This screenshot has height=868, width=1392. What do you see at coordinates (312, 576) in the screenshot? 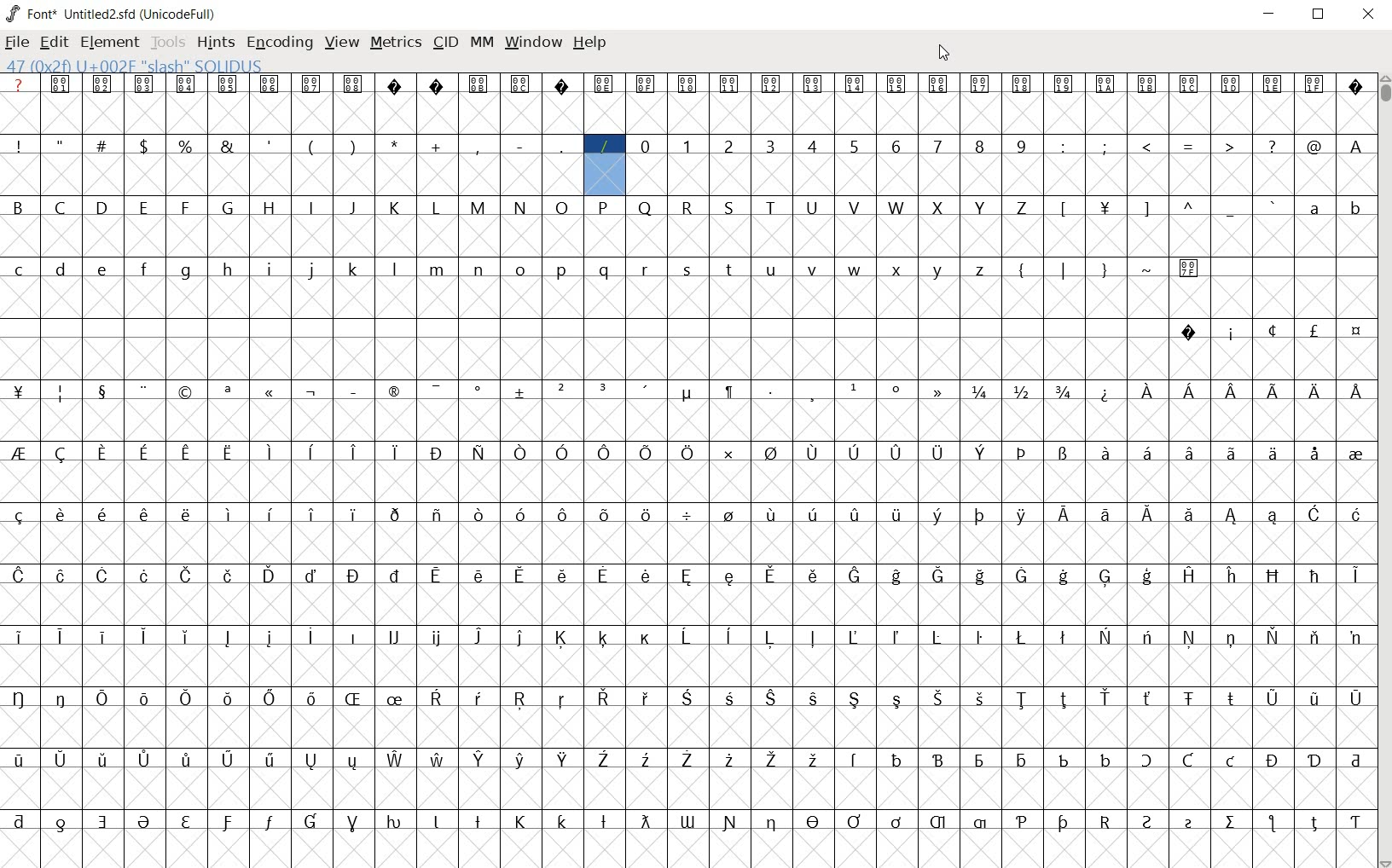
I see `glyph` at bounding box center [312, 576].